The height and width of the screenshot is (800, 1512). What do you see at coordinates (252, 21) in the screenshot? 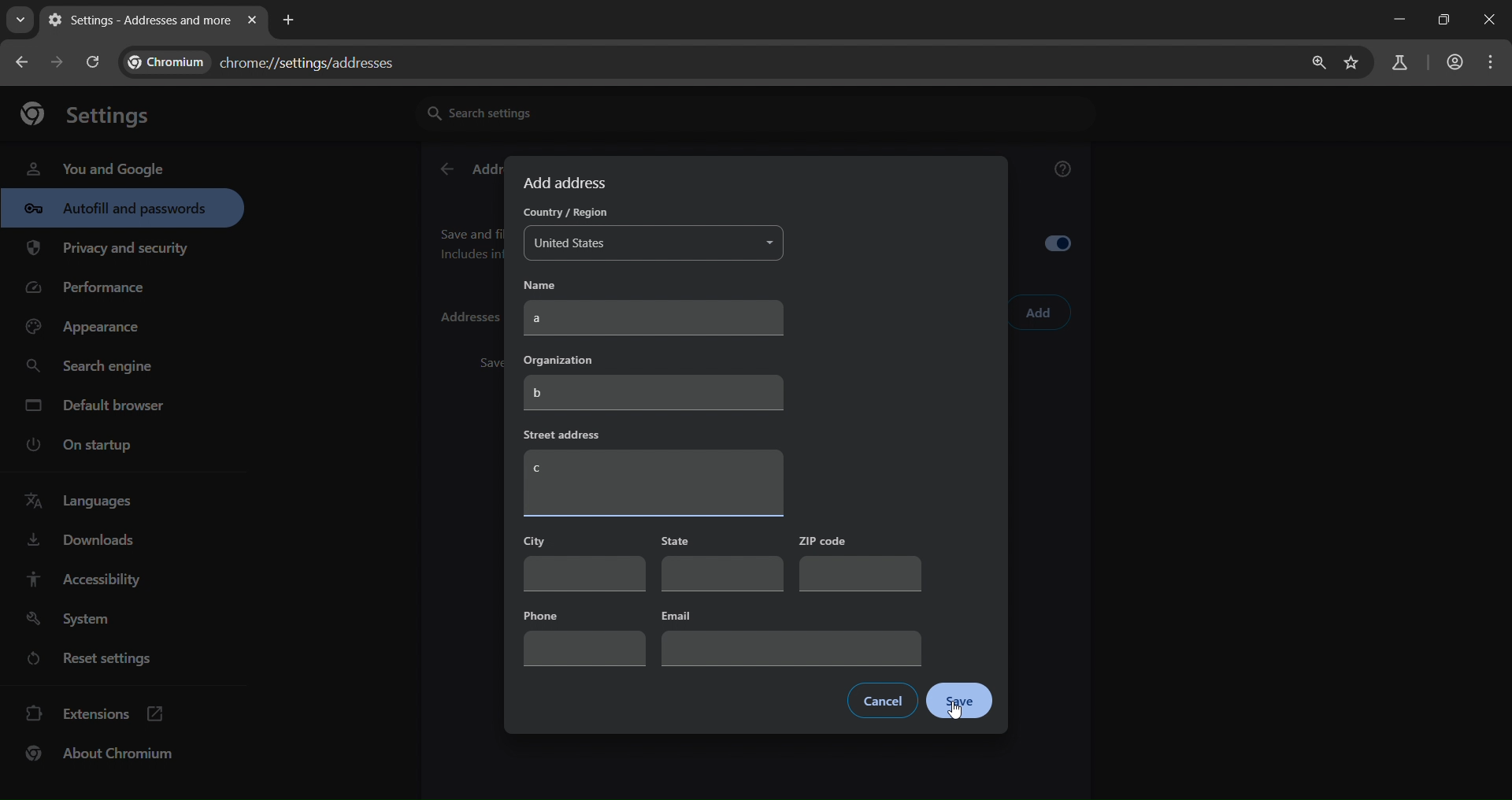
I see `close tab` at bounding box center [252, 21].